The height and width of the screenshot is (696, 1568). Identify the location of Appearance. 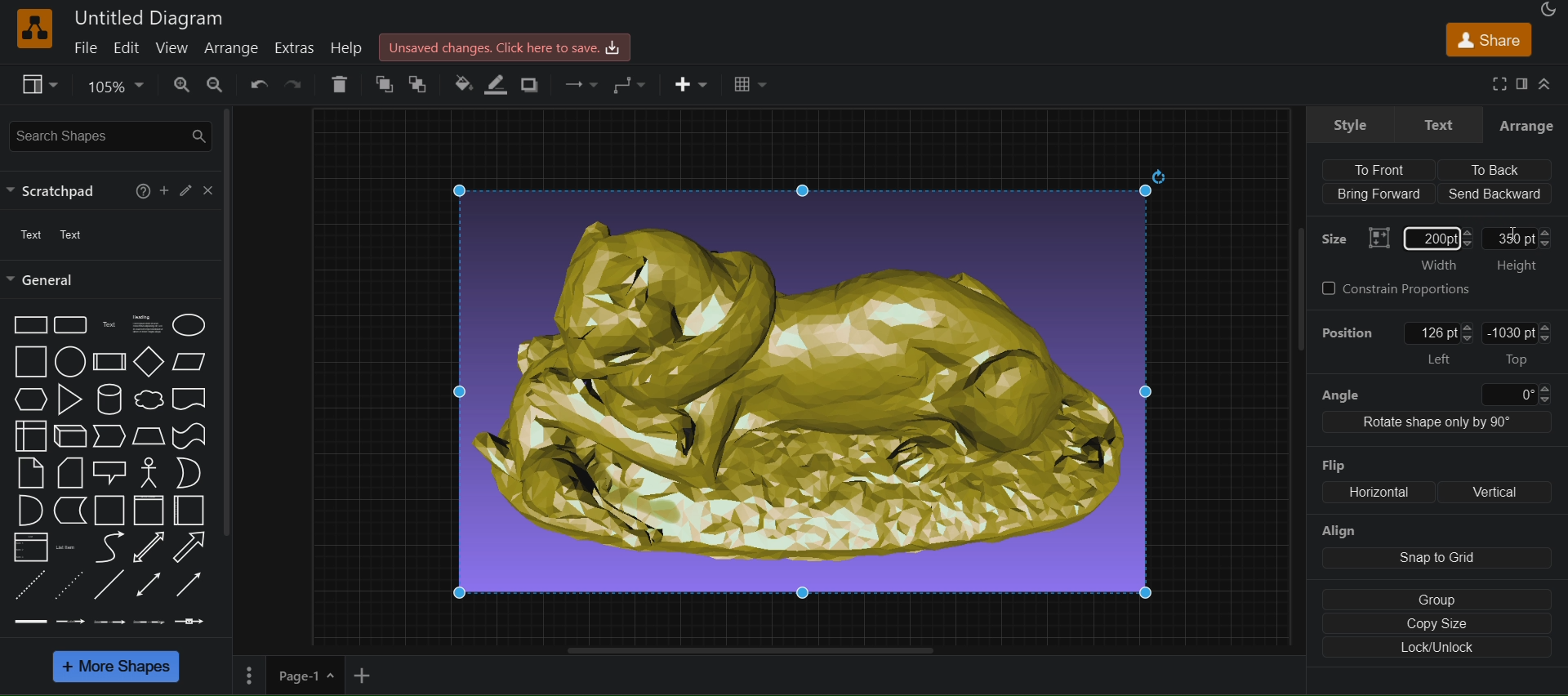
(1547, 9).